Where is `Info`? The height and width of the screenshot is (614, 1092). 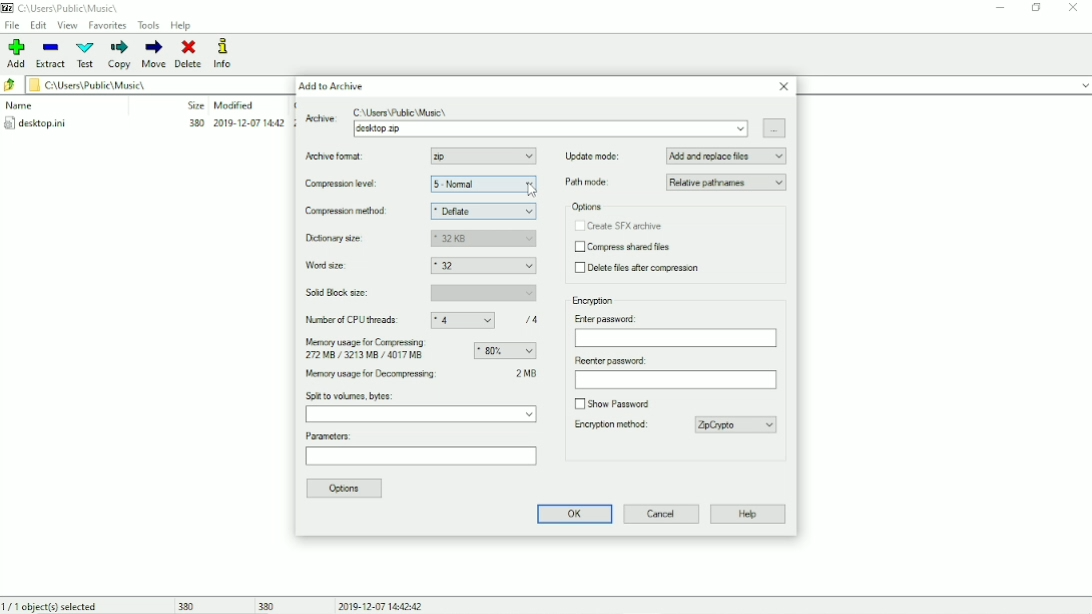 Info is located at coordinates (231, 53).